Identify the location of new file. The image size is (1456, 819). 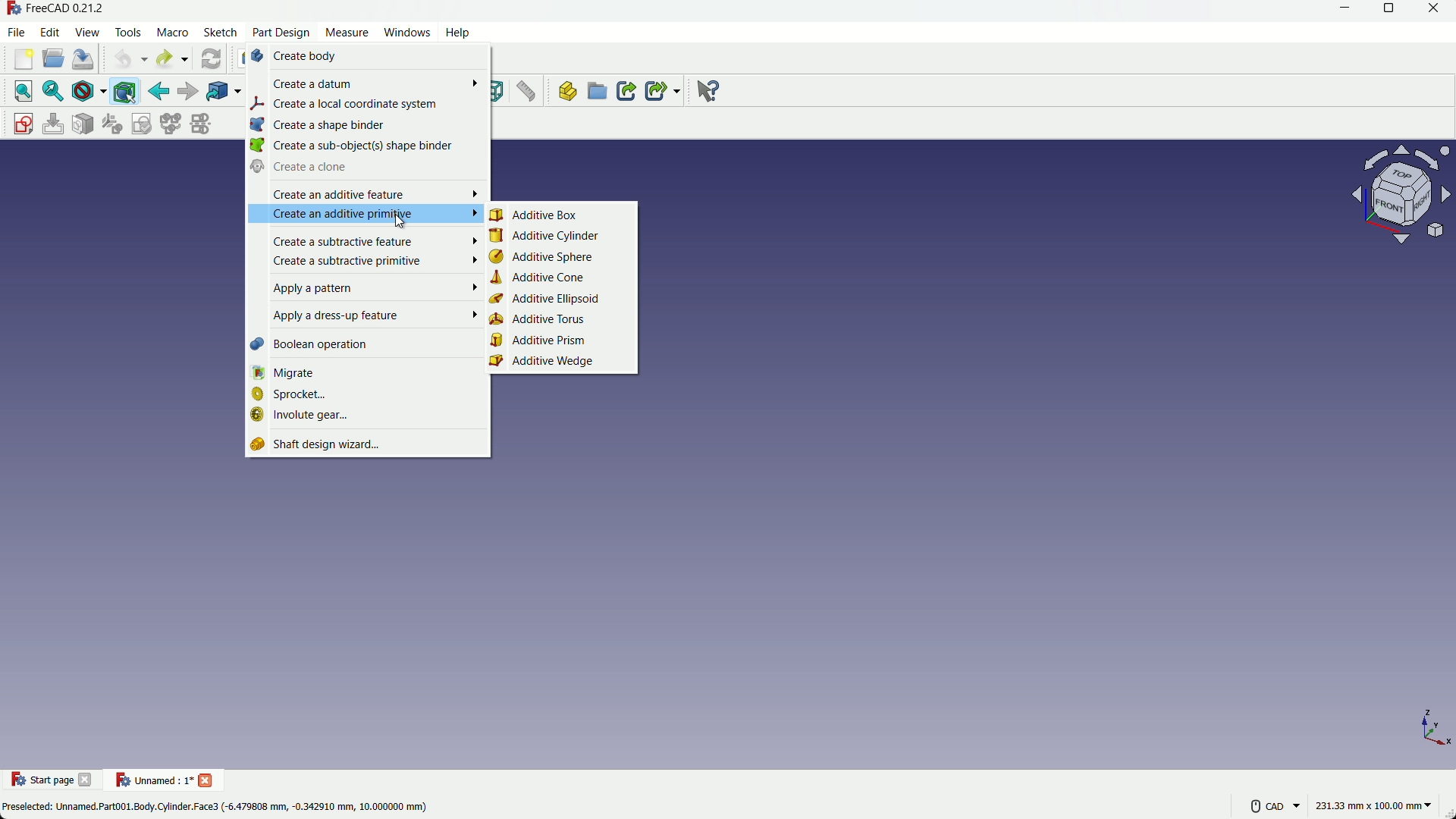
(24, 60).